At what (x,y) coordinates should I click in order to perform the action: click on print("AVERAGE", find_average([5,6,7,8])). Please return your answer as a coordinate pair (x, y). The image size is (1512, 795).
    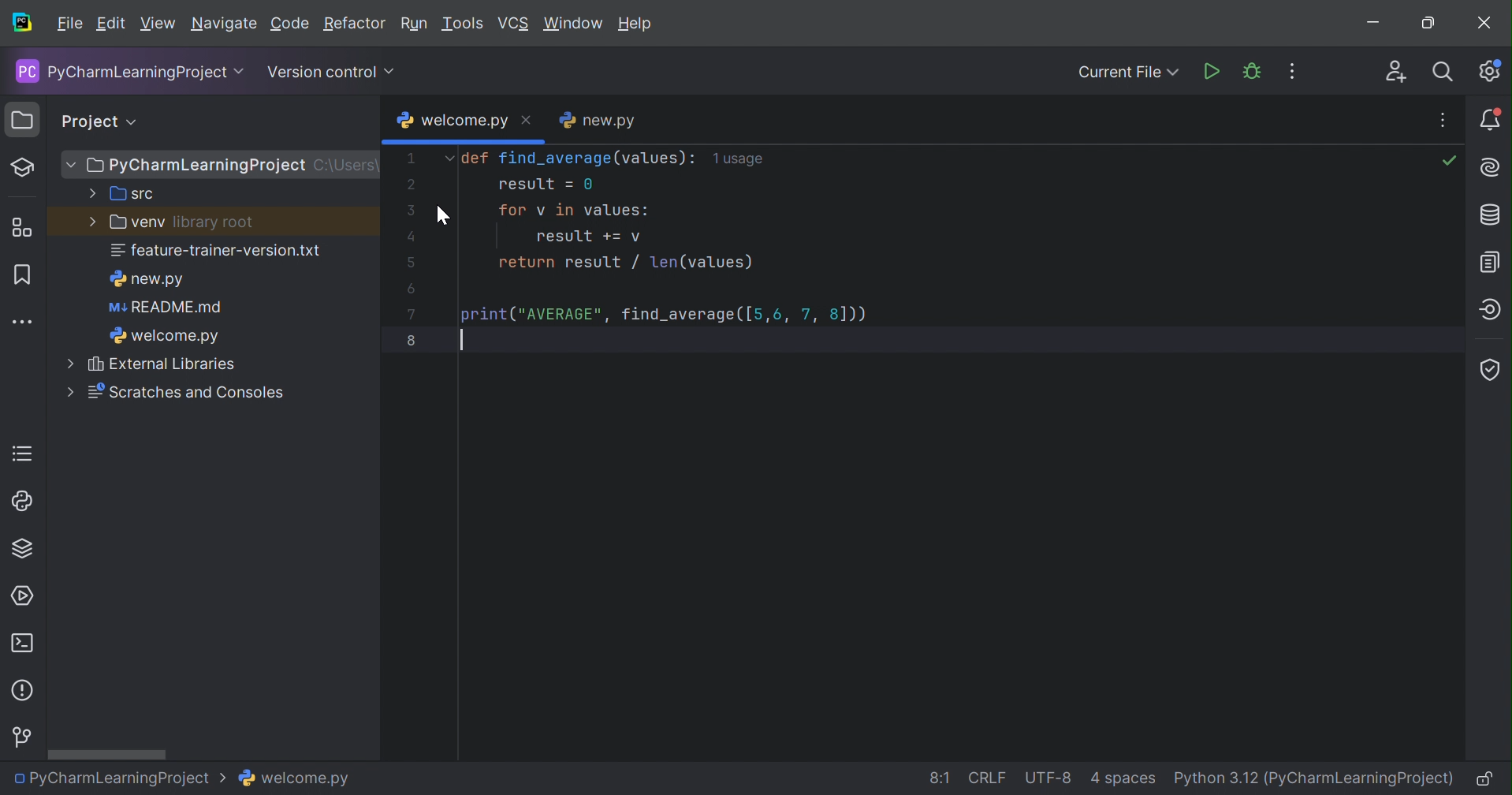
    Looking at the image, I should click on (665, 313).